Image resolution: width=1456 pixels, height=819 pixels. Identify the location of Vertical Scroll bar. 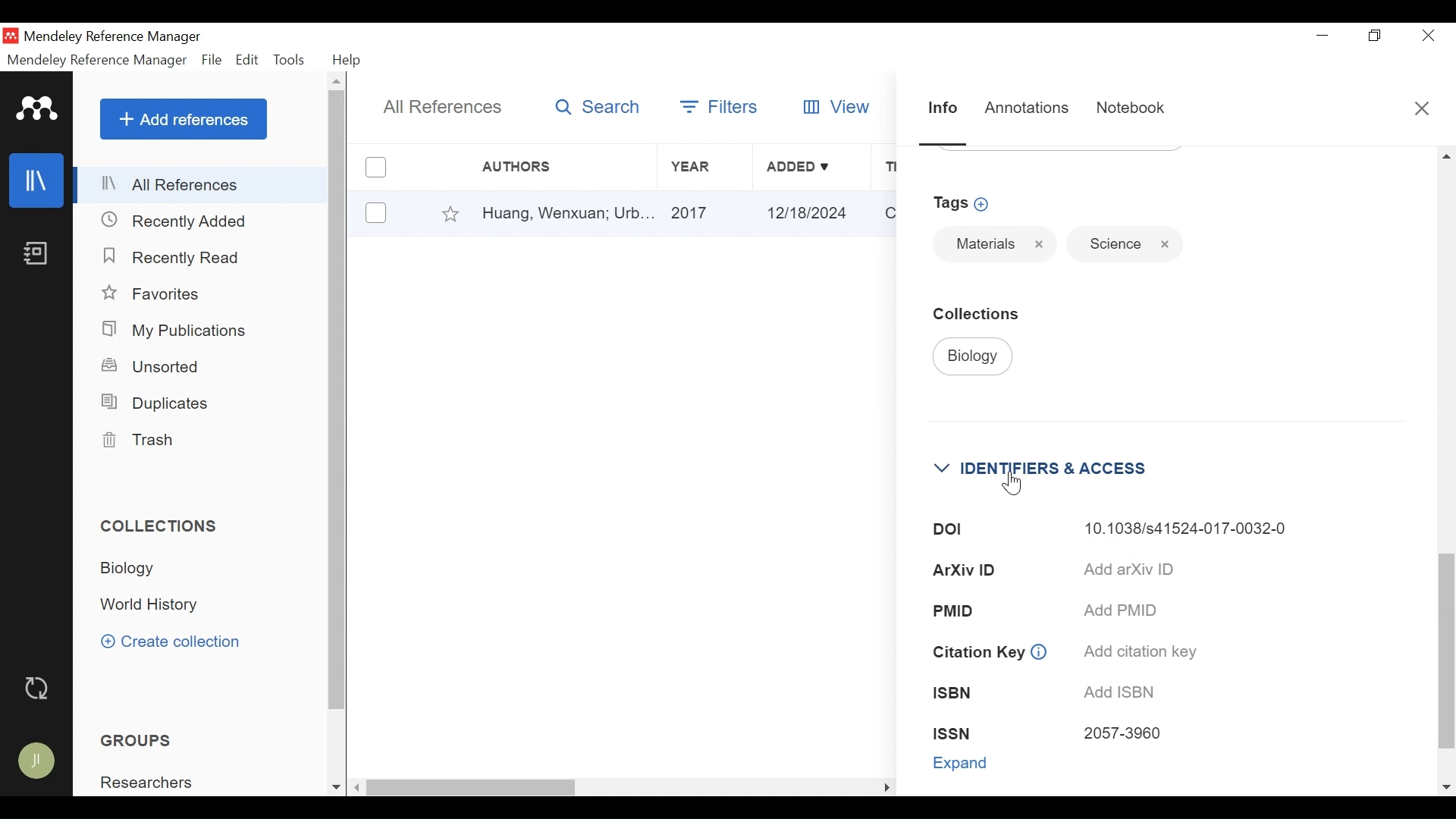
(1445, 650).